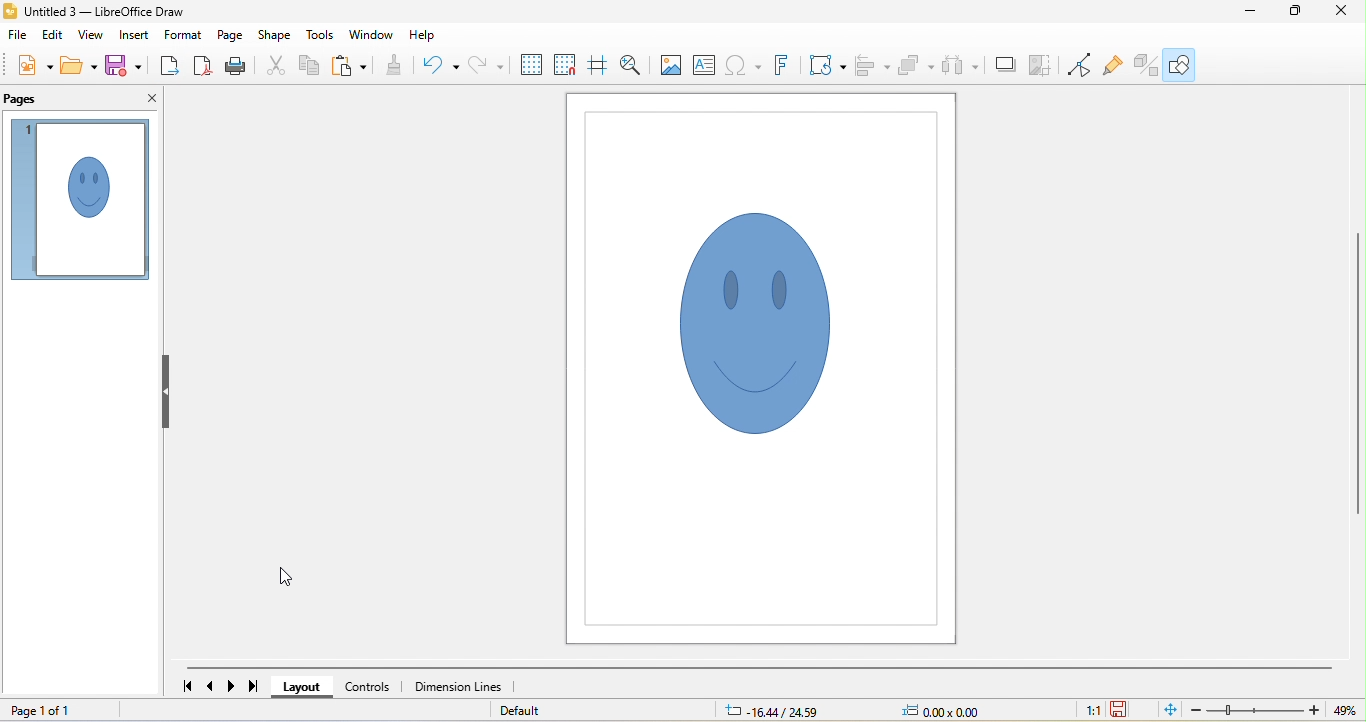  Describe the element at coordinates (827, 67) in the screenshot. I see `transformations` at that location.